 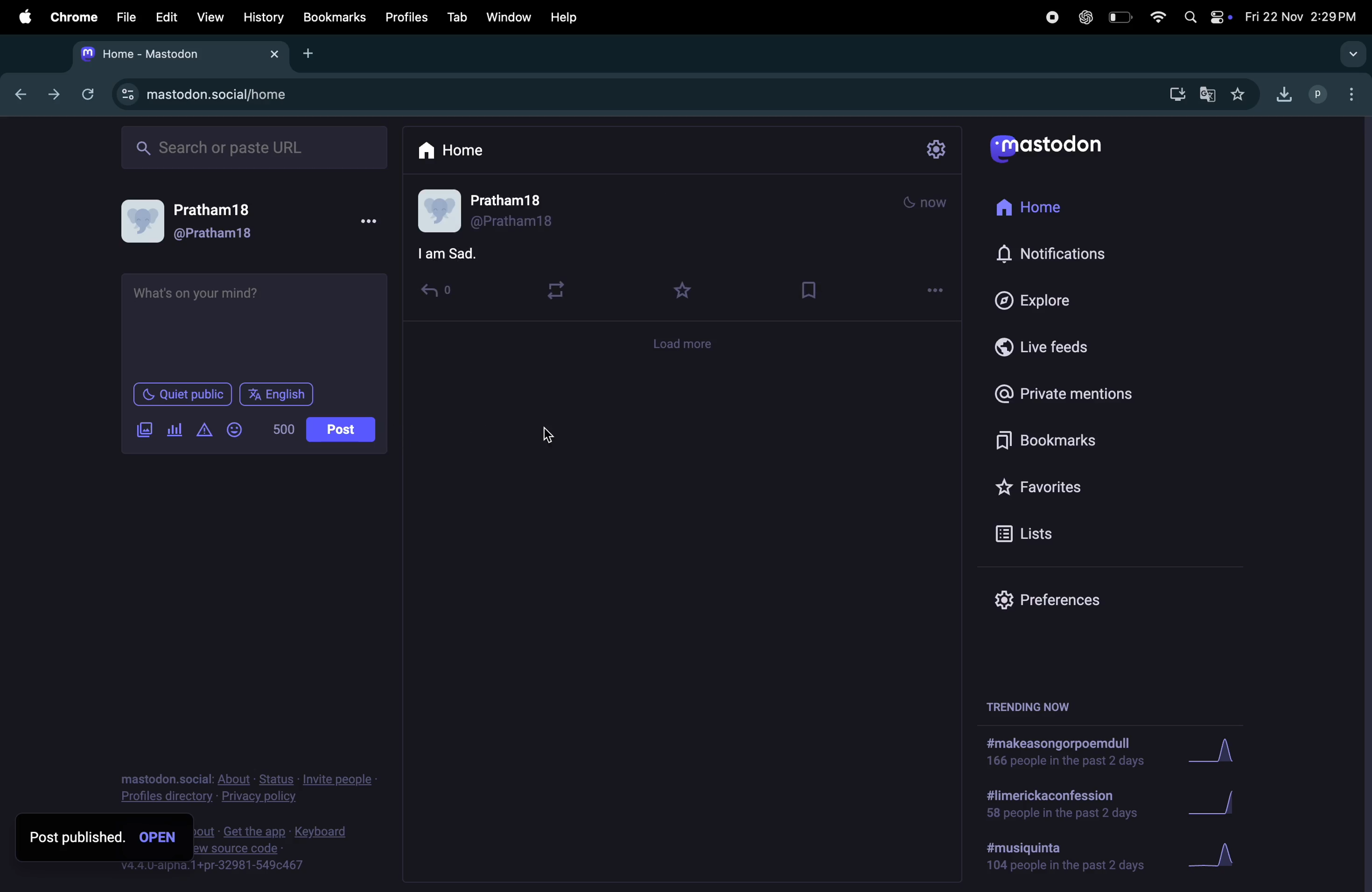 What do you see at coordinates (259, 324) in the screenshot?
I see `text box` at bounding box center [259, 324].